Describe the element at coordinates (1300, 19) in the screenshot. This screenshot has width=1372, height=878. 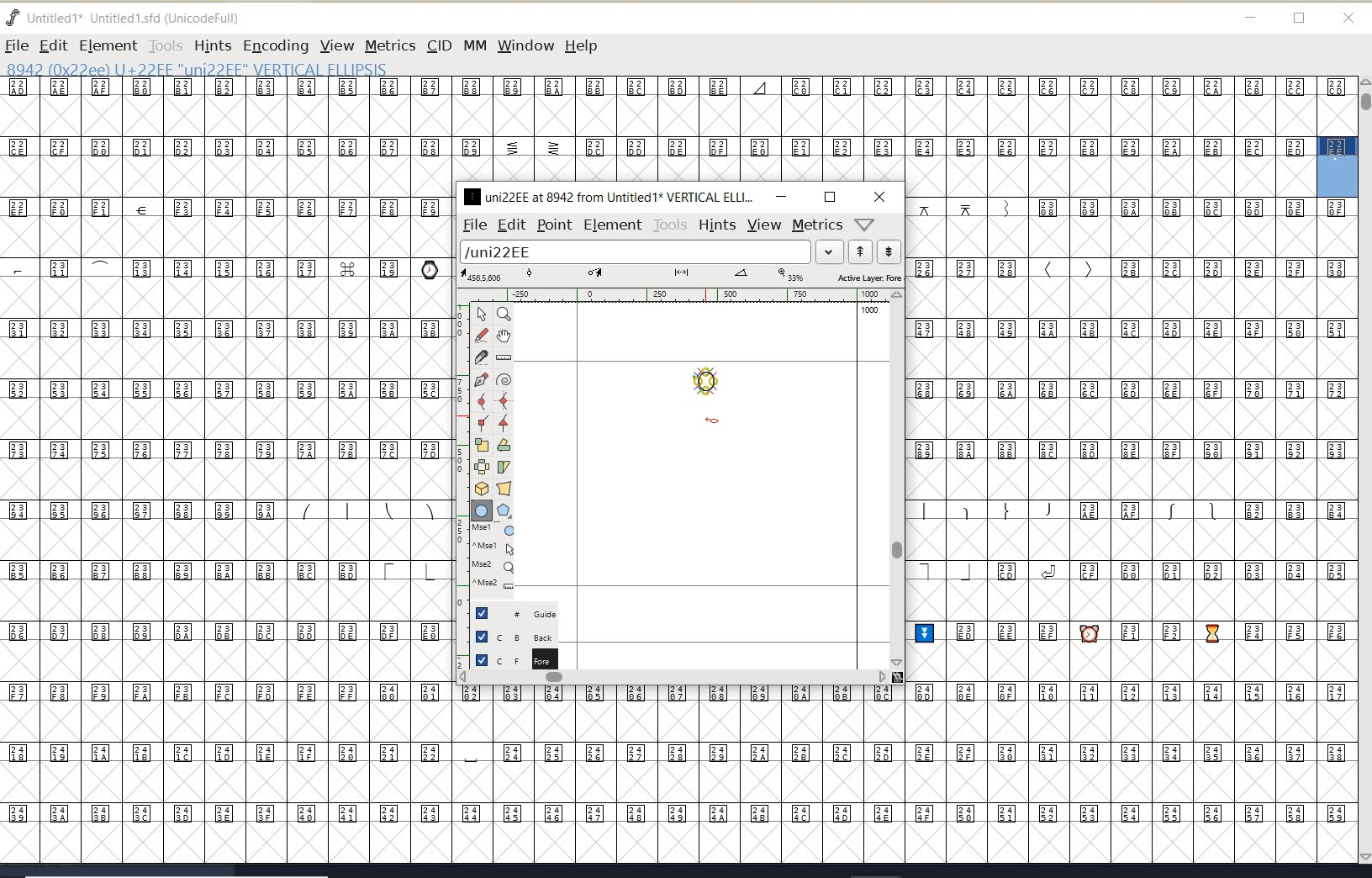
I see `restore` at that location.